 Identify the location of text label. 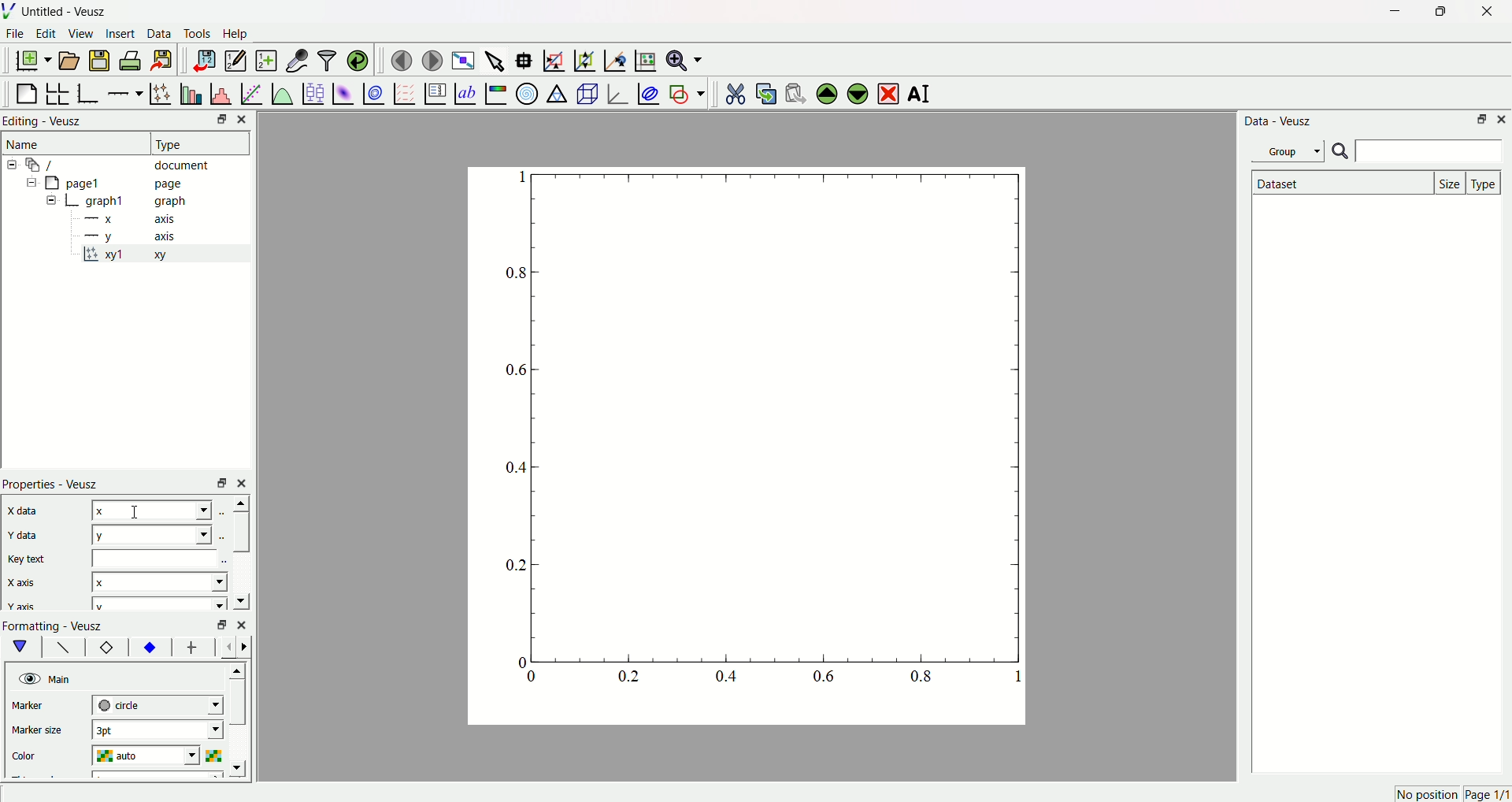
(464, 92).